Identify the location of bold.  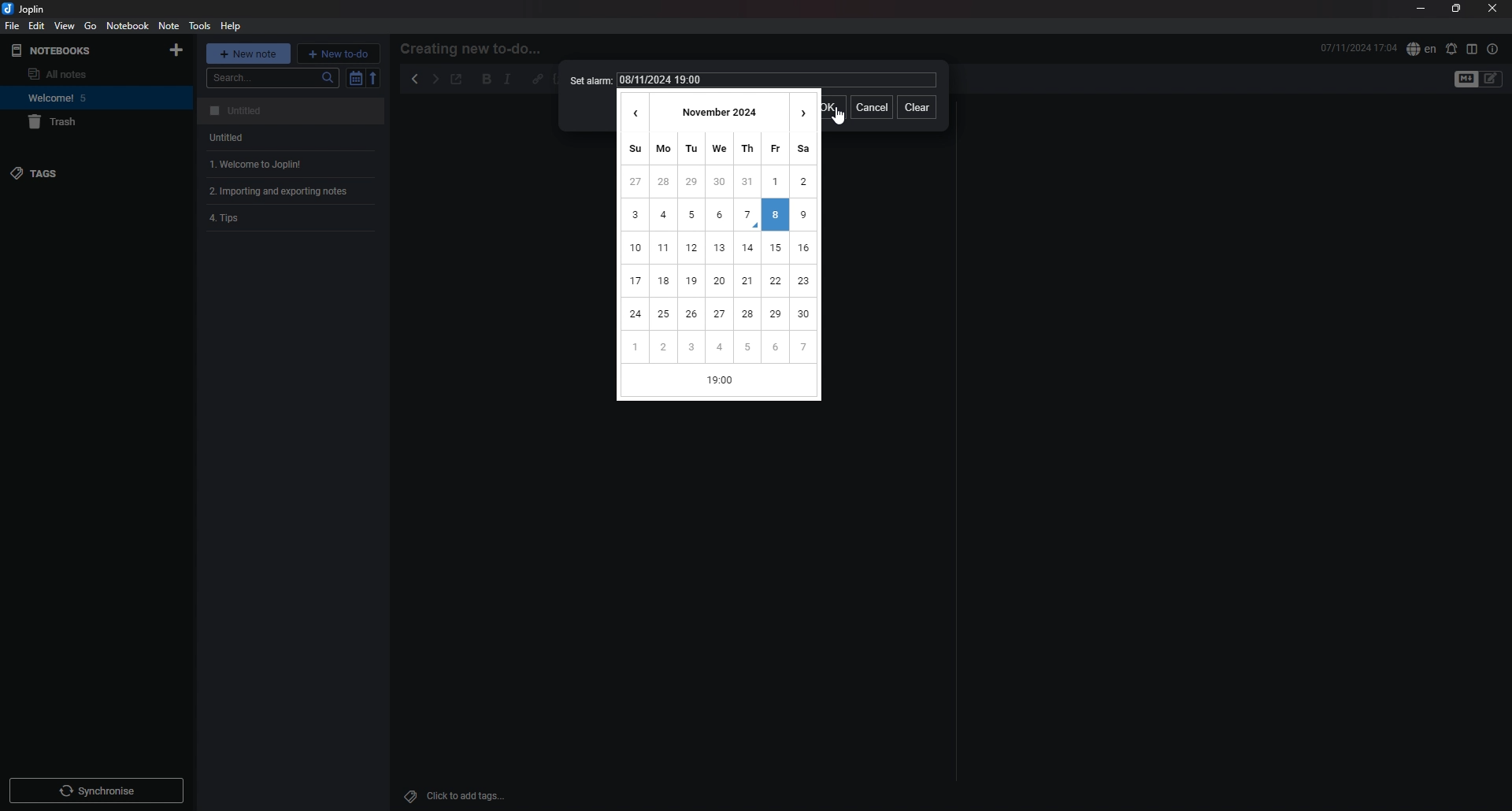
(487, 79).